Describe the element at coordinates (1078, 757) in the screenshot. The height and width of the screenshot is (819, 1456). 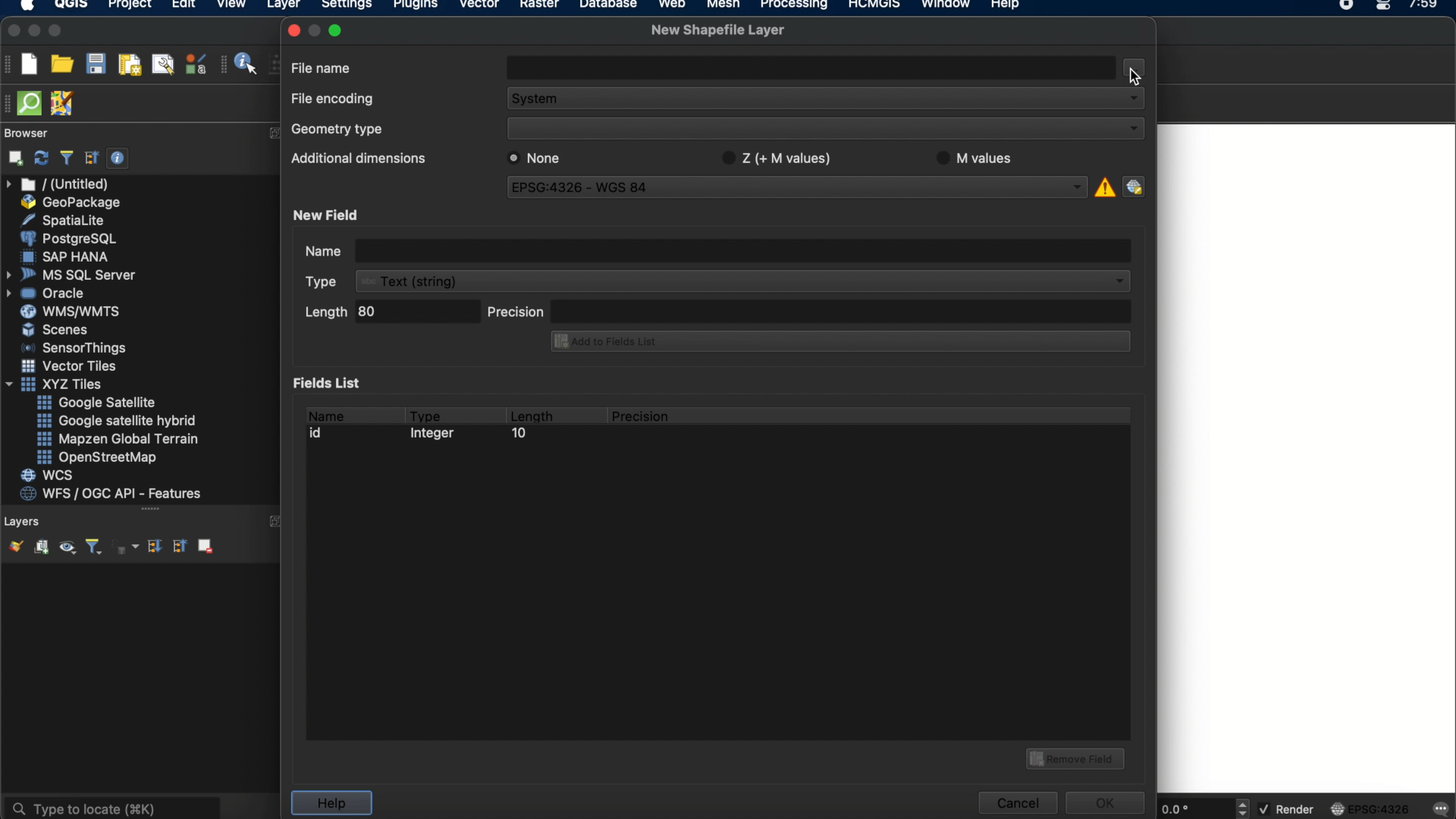
I see `remove field` at that location.